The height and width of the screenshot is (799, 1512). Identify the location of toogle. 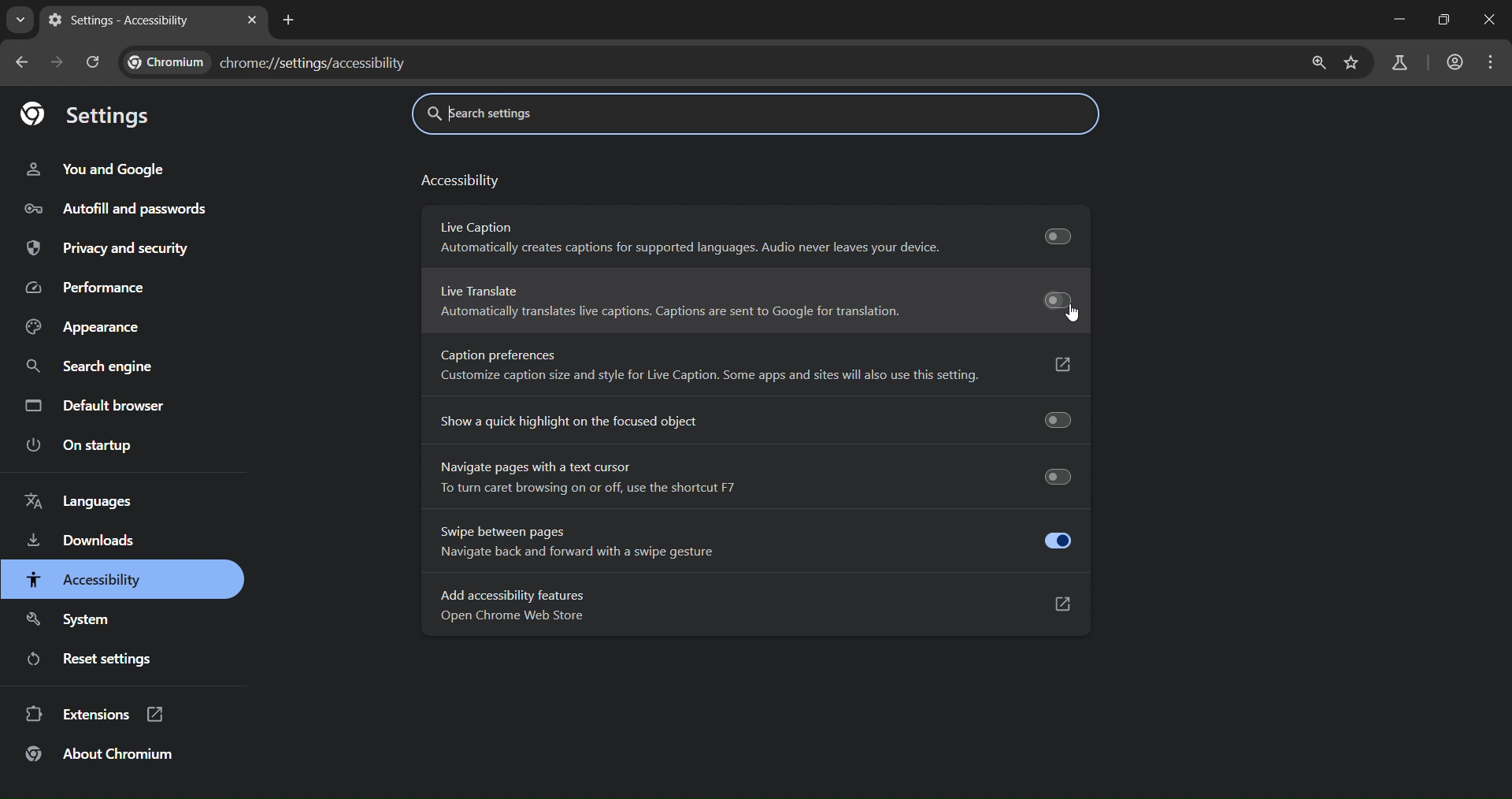
(1047, 299).